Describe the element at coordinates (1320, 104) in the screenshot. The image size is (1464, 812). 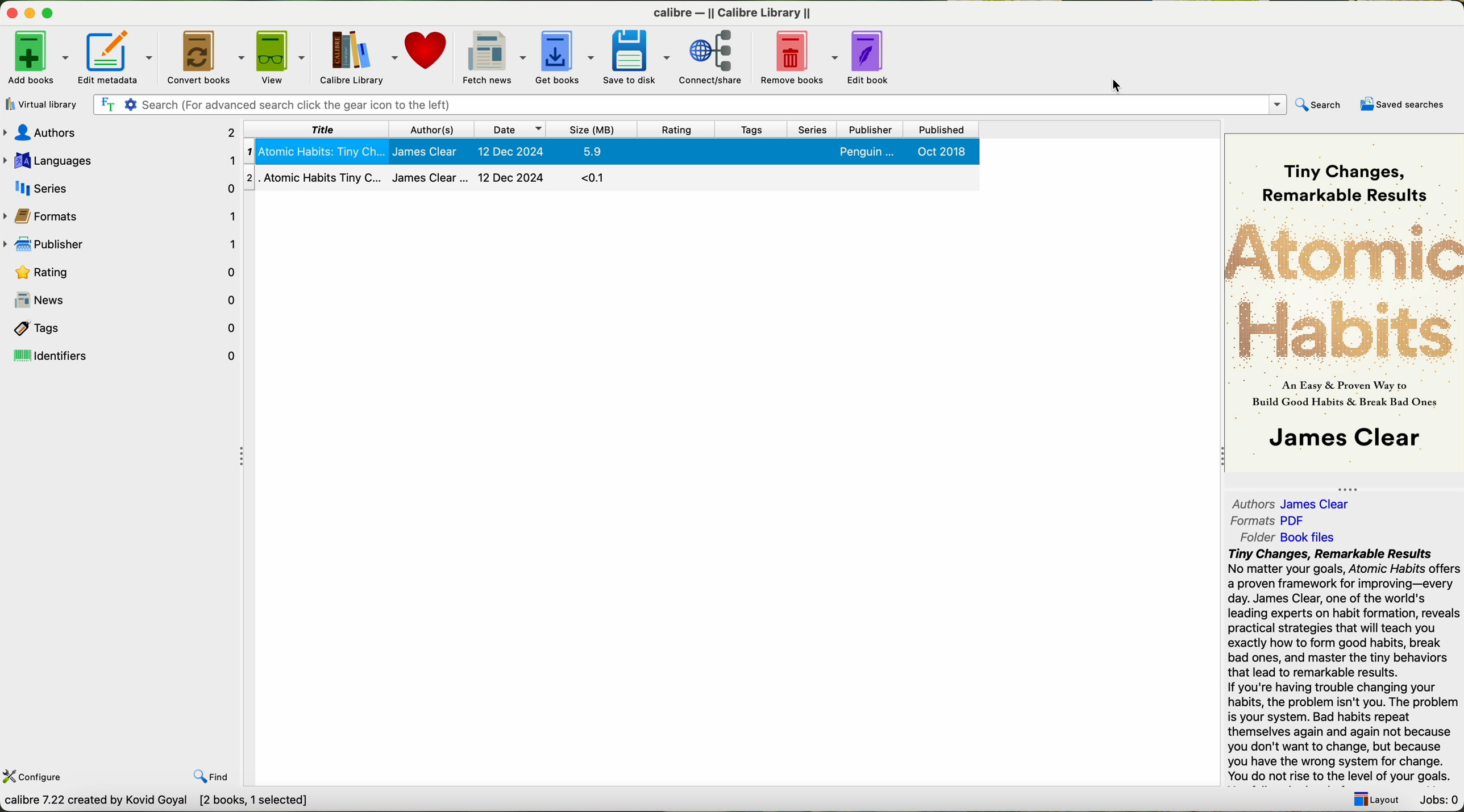
I see `search` at that location.